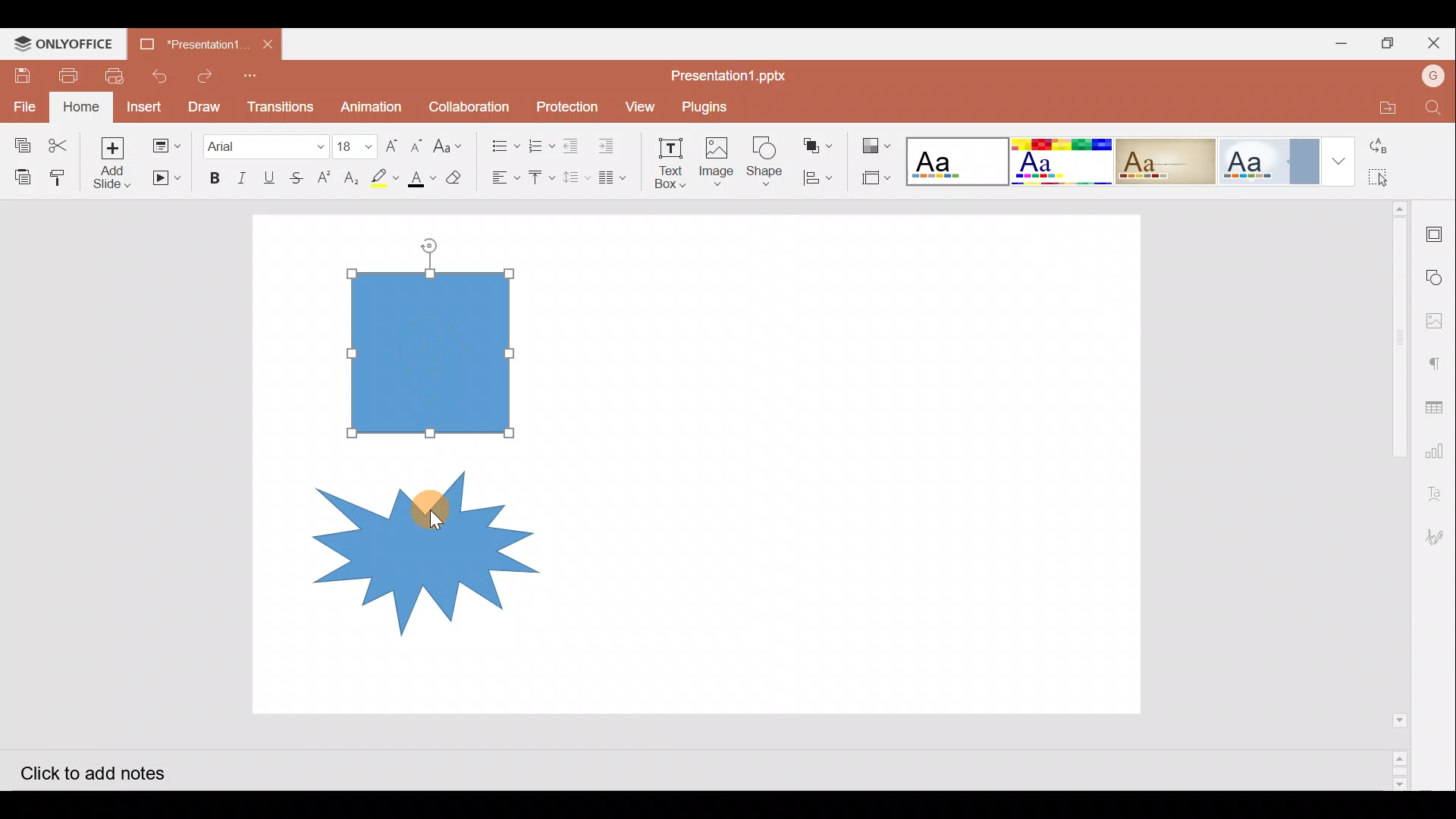 Image resolution: width=1456 pixels, height=819 pixels. I want to click on Insert shape, so click(764, 155).